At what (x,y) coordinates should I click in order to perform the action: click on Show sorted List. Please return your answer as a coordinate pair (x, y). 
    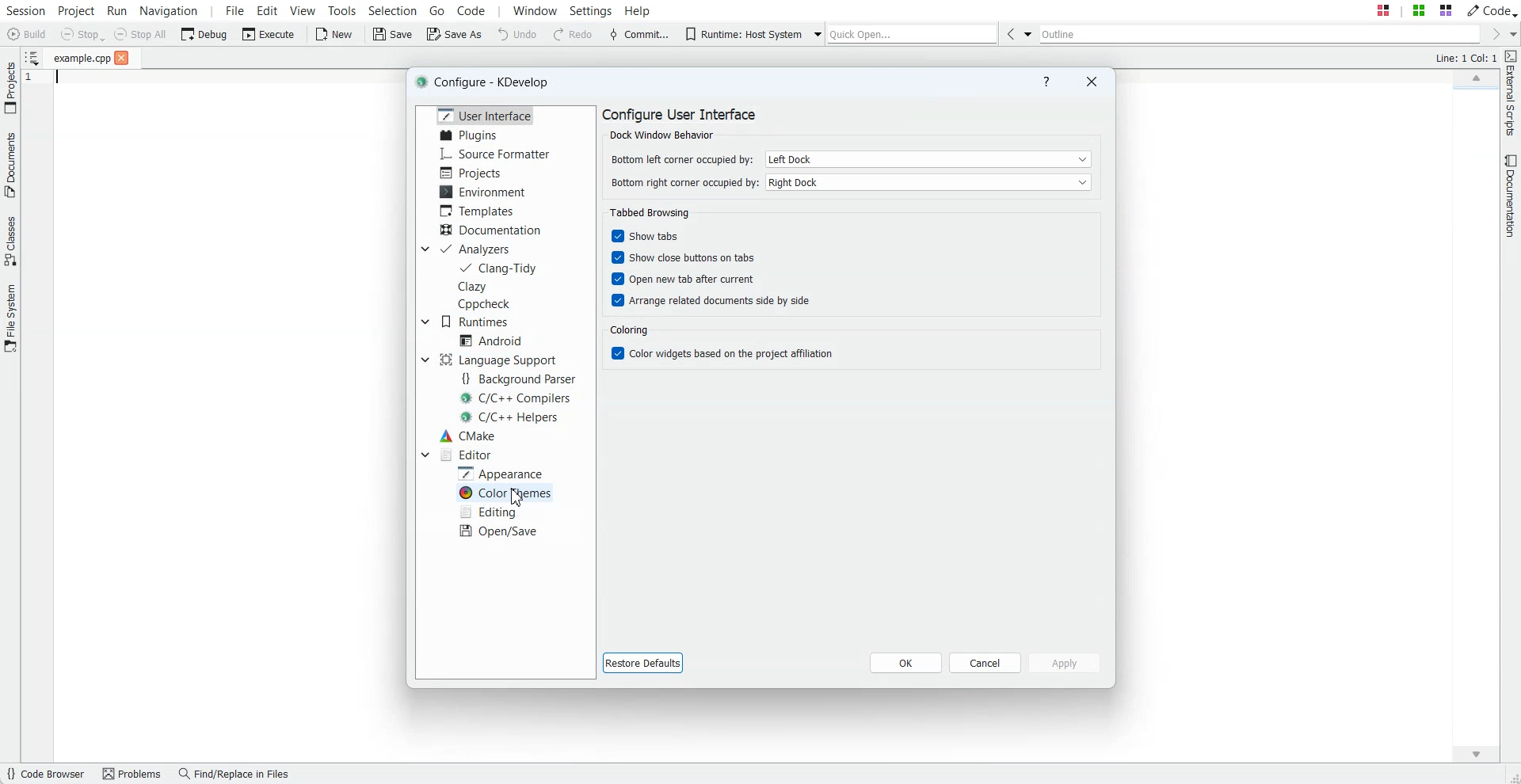
    Looking at the image, I should click on (31, 57).